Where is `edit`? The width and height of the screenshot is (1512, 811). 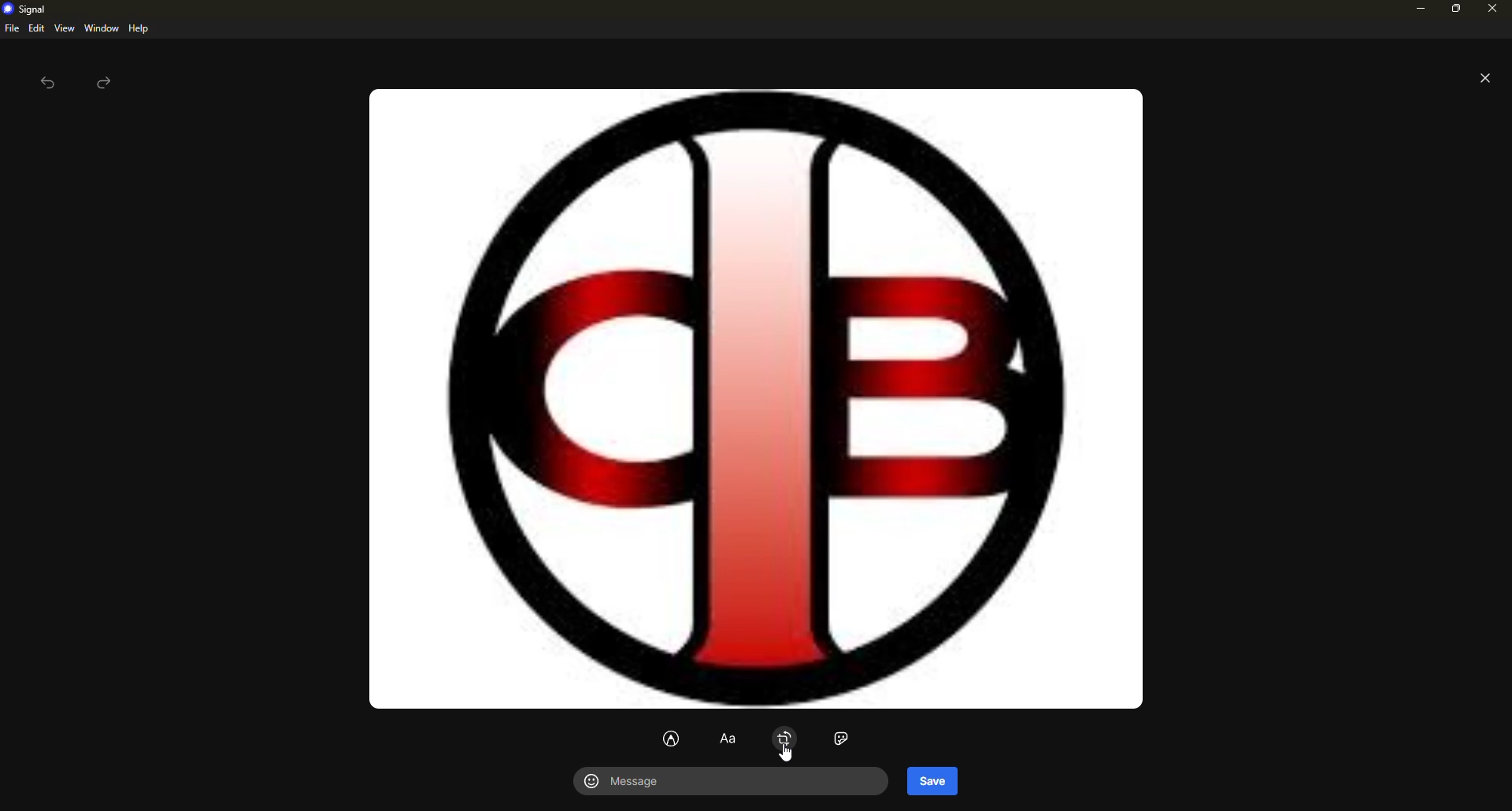
edit is located at coordinates (36, 28).